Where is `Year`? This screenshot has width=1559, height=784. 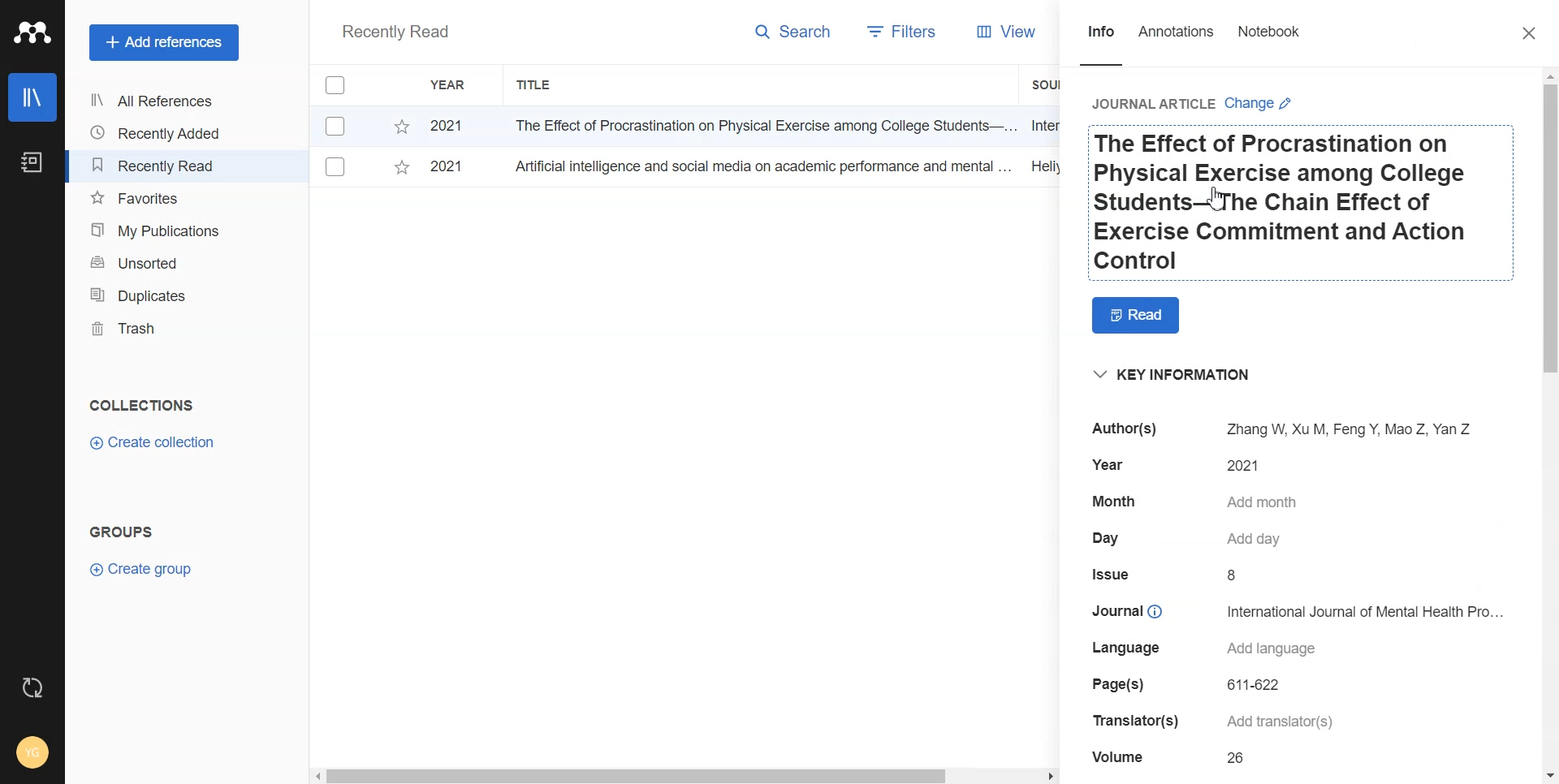
Year is located at coordinates (451, 85).